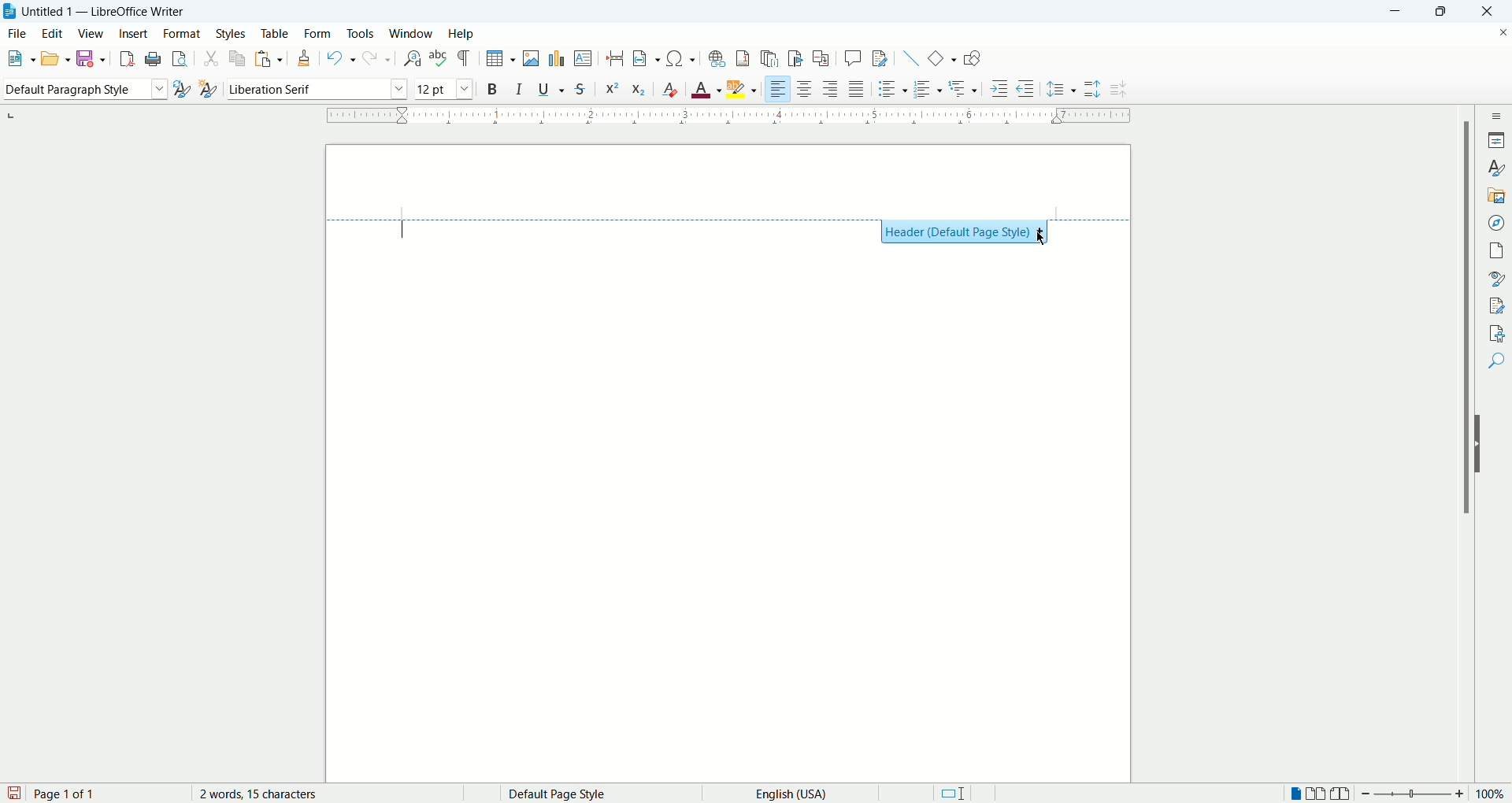 Image resolution: width=1512 pixels, height=803 pixels. Describe the element at coordinates (1499, 166) in the screenshot. I see `styles` at that location.